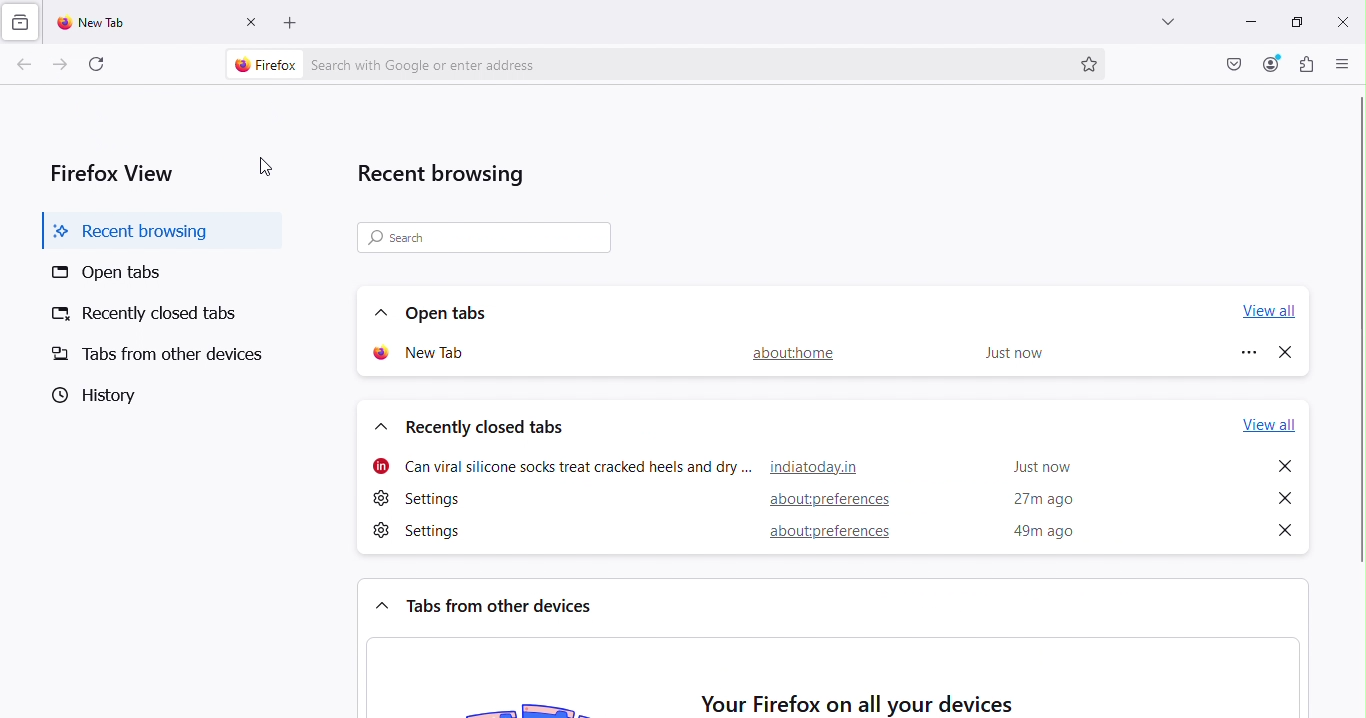  Describe the element at coordinates (1356, 242) in the screenshot. I see `vertical scroll bar` at that location.